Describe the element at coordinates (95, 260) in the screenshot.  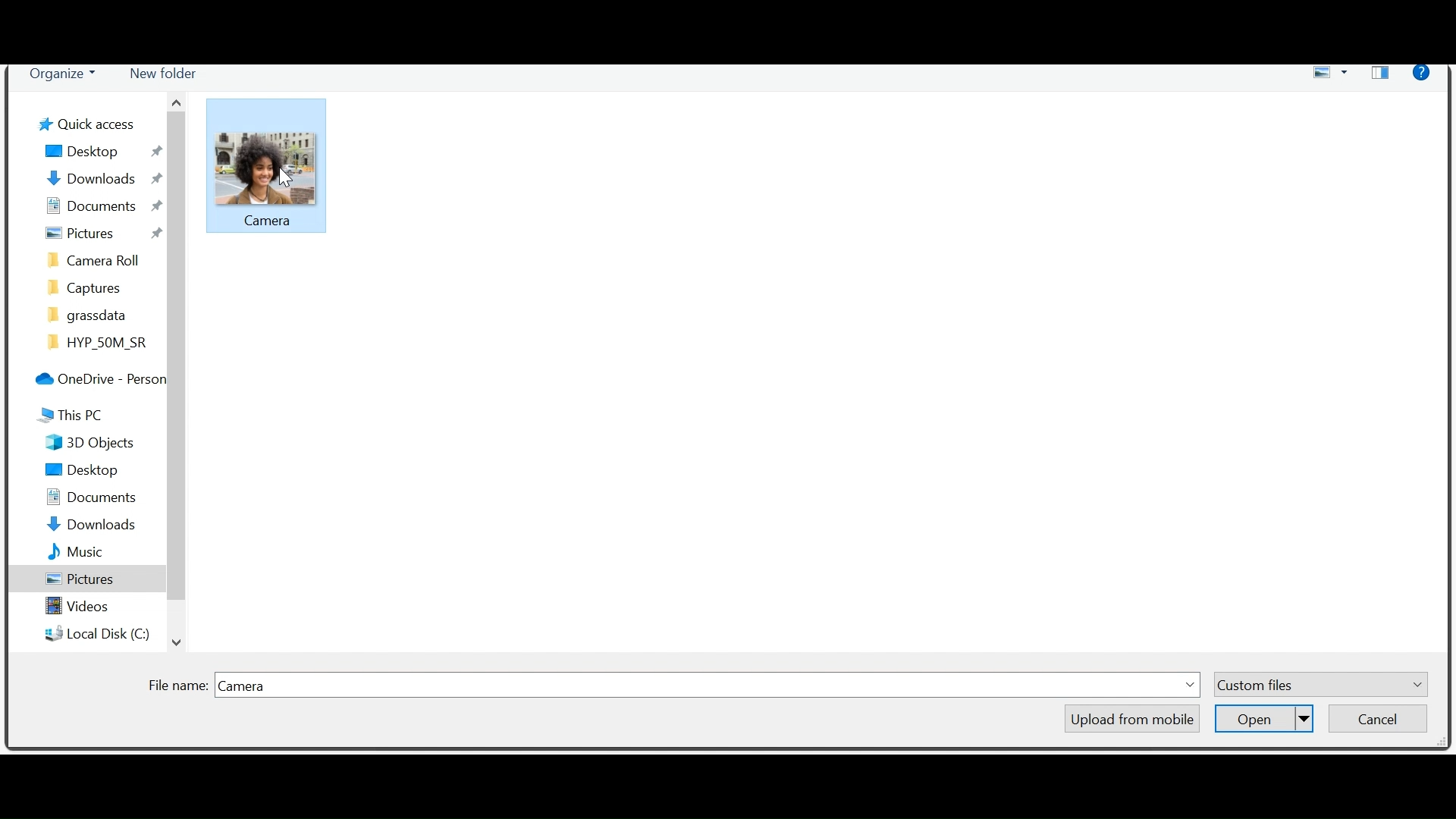
I see `camera roll` at that location.